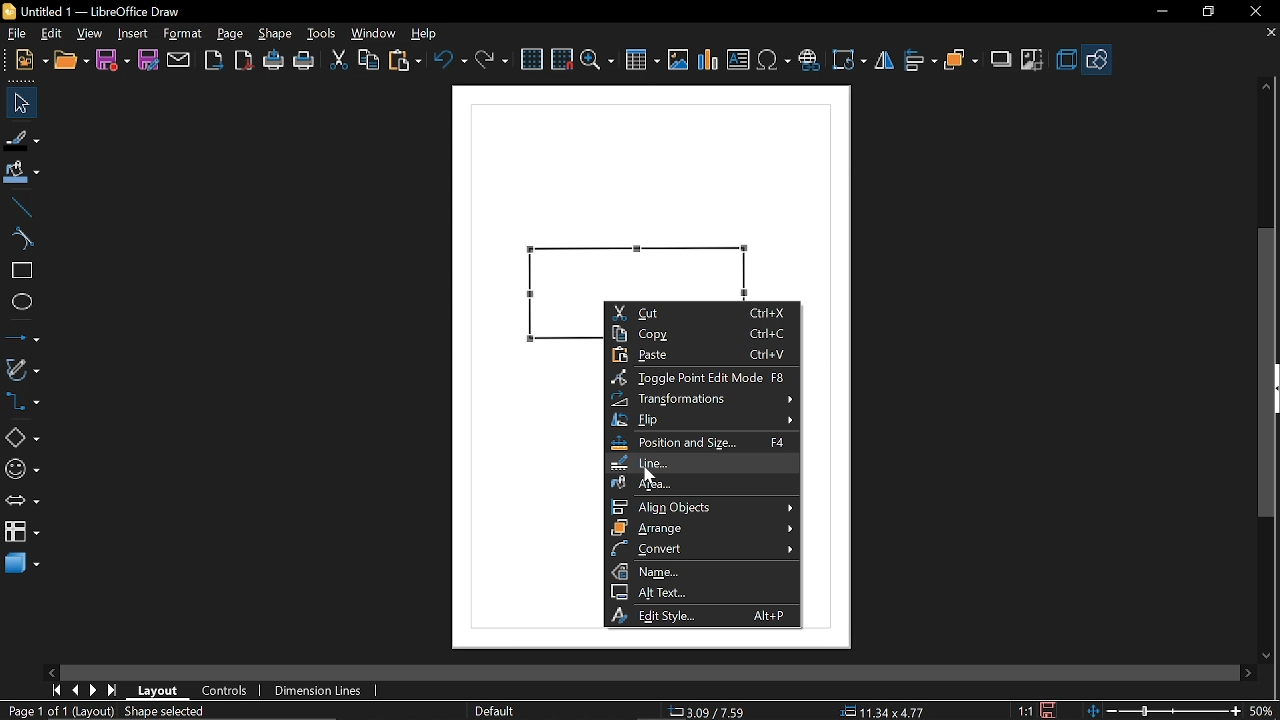  I want to click on next page, so click(93, 691).